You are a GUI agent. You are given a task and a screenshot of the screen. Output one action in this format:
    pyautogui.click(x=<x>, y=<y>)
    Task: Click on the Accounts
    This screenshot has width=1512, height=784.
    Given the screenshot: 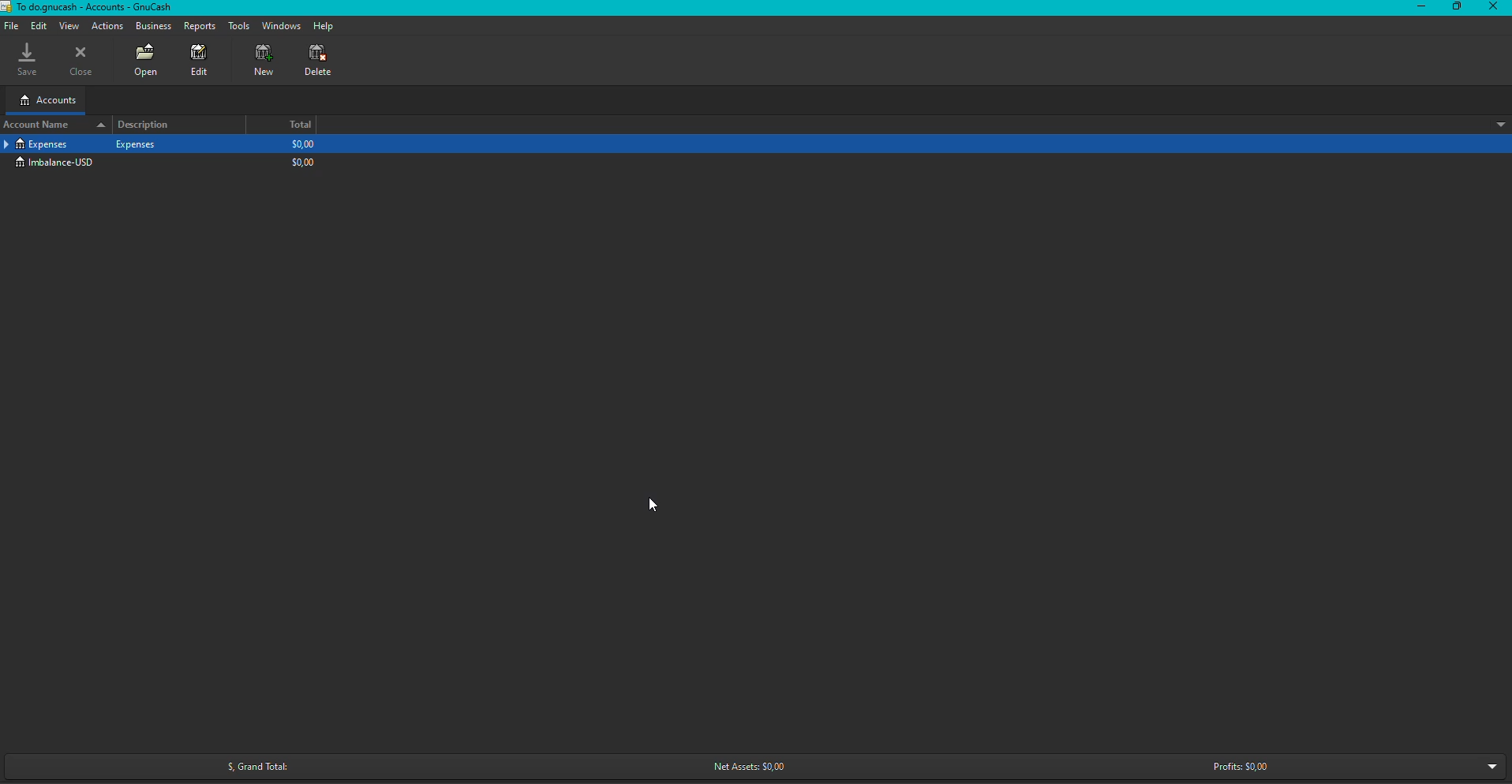 What is the action you would take?
    pyautogui.click(x=46, y=100)
    